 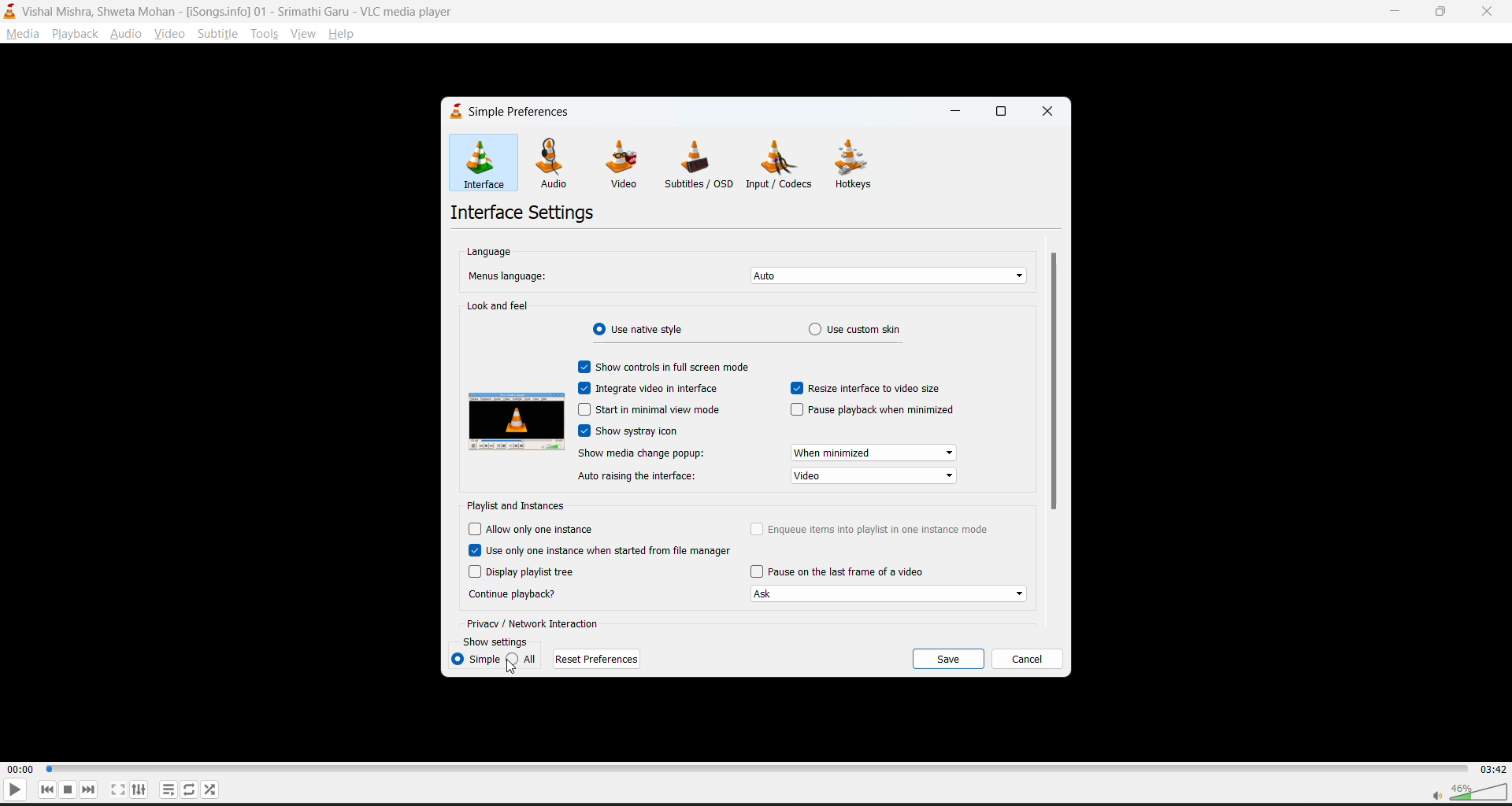 What do you see at coordinates (165, 788) in the screenshot?
I see `playlist` at bounding box center [165, 788].